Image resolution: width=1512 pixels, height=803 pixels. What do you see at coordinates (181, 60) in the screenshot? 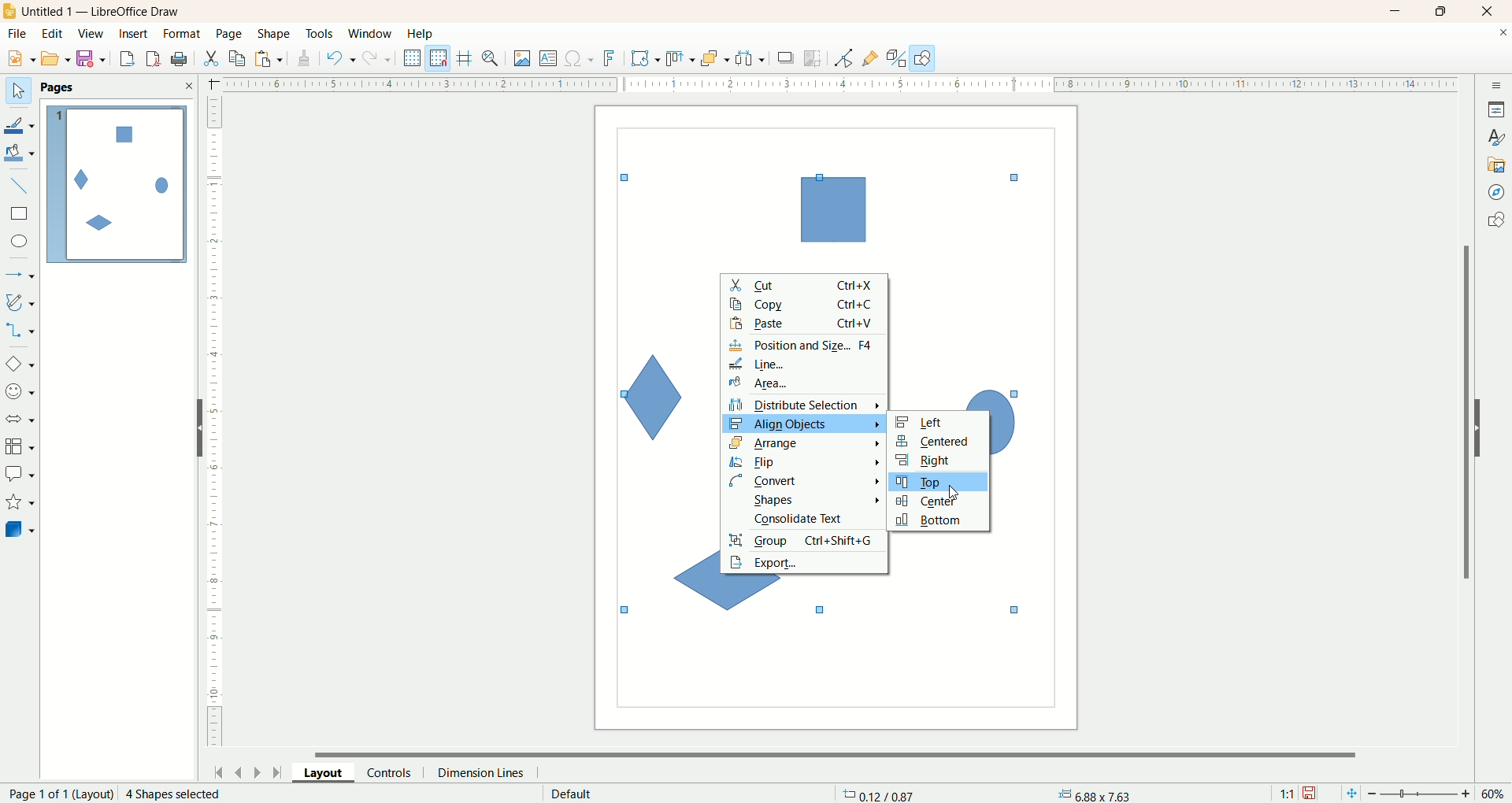
I see `export as PDF` at bounding box center [181, 60].